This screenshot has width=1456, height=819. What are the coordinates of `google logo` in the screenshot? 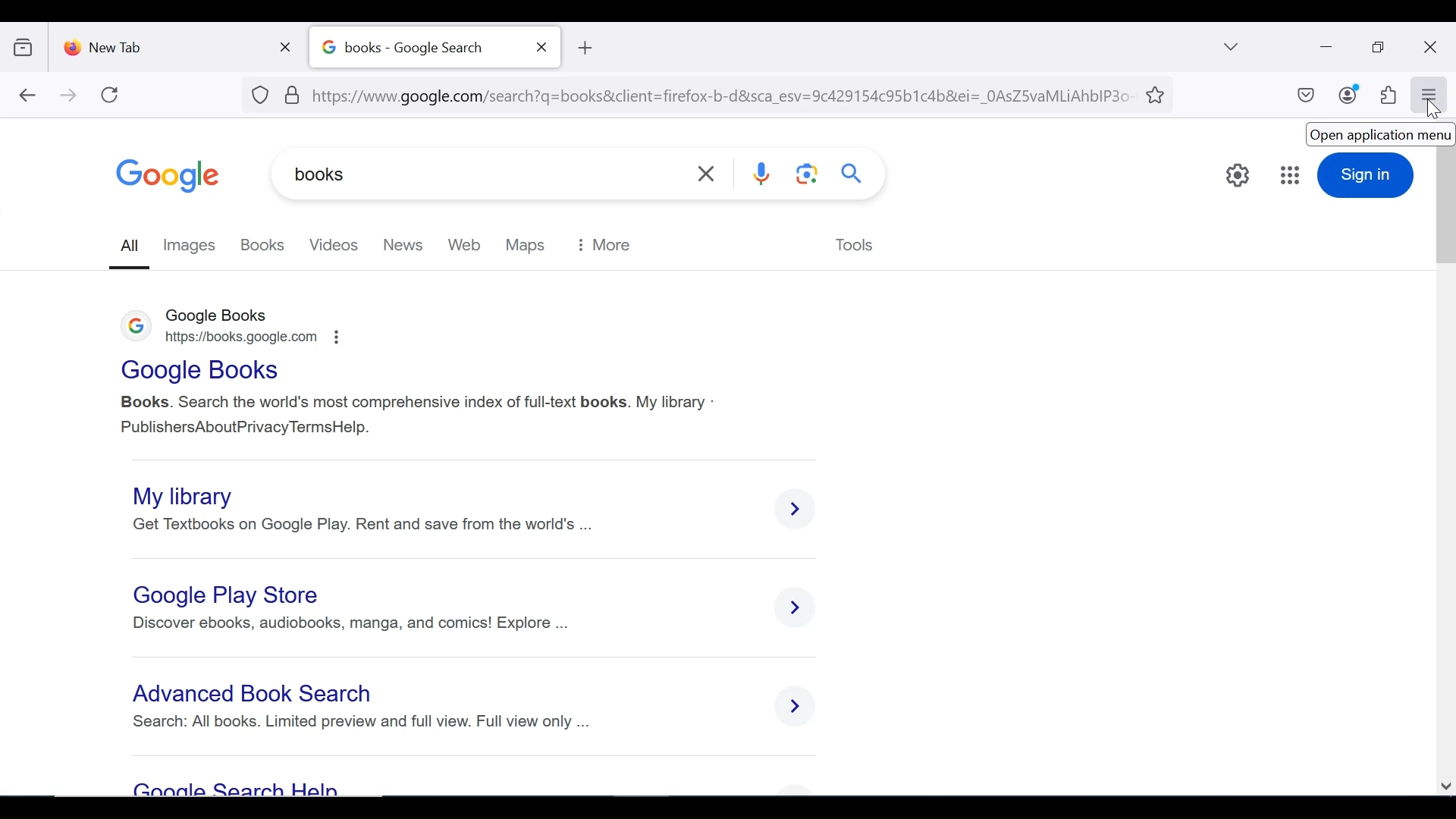 It's located at (168, 176).